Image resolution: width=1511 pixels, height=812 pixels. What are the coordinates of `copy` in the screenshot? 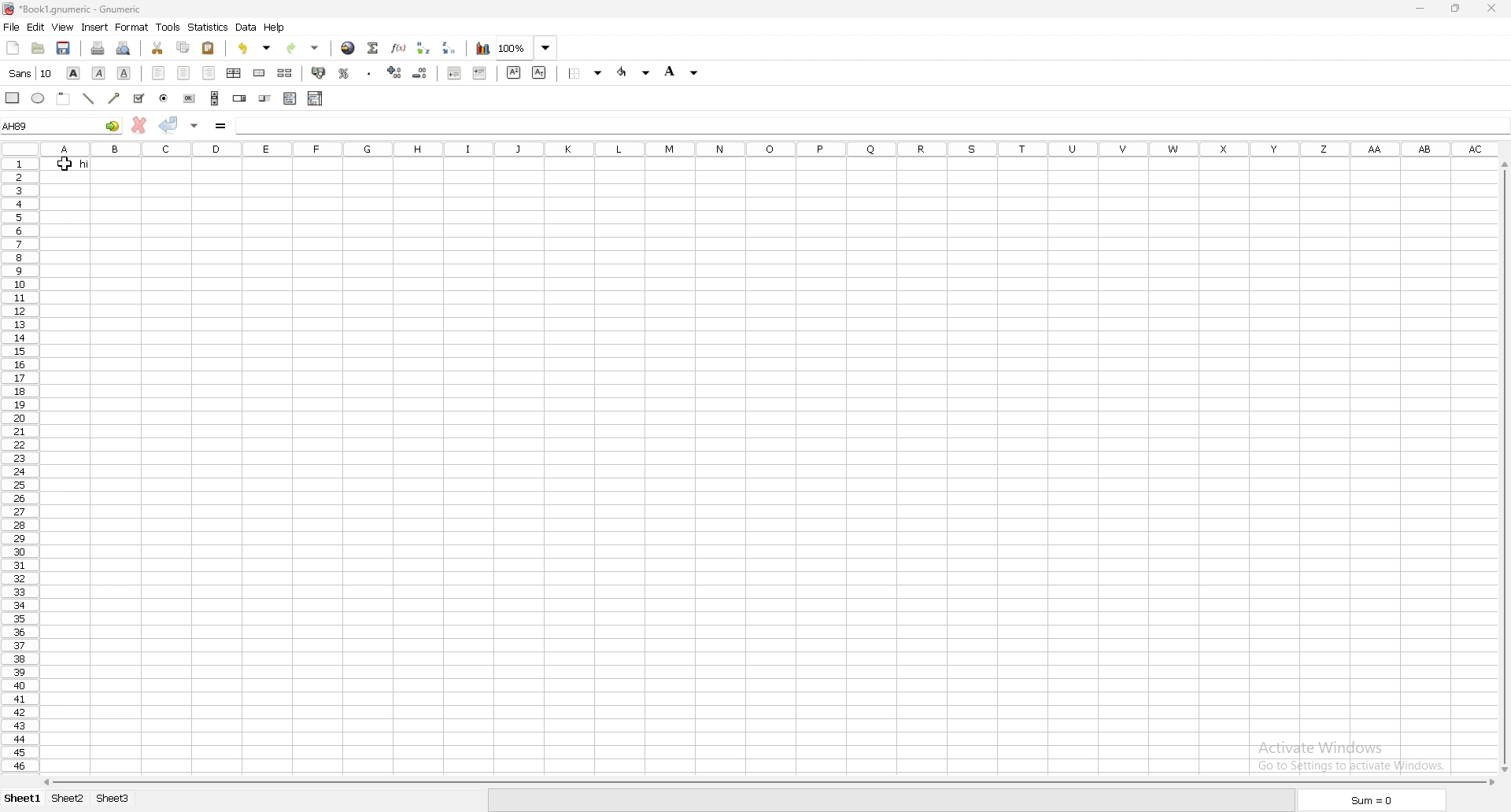 It's located at (183, 48).